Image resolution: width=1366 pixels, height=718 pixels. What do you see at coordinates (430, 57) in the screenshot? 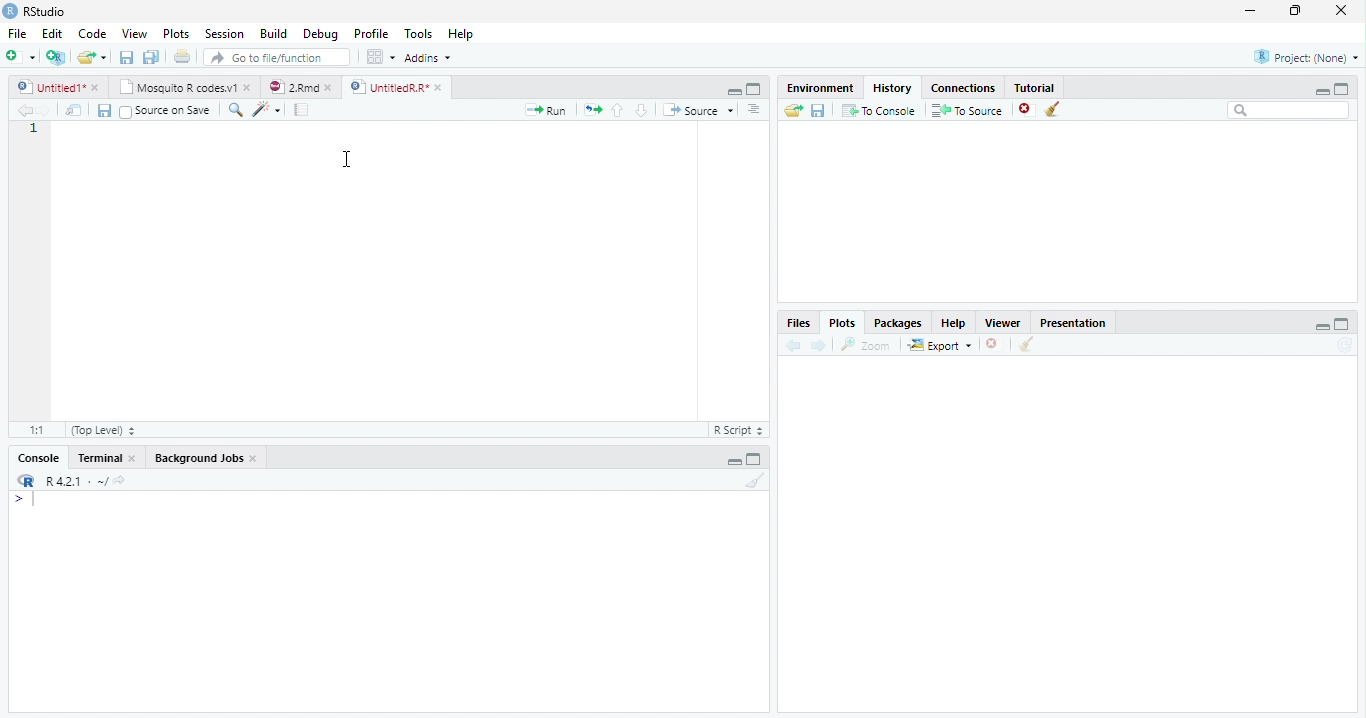
I see `Addins` at bounding box center [430, 57].